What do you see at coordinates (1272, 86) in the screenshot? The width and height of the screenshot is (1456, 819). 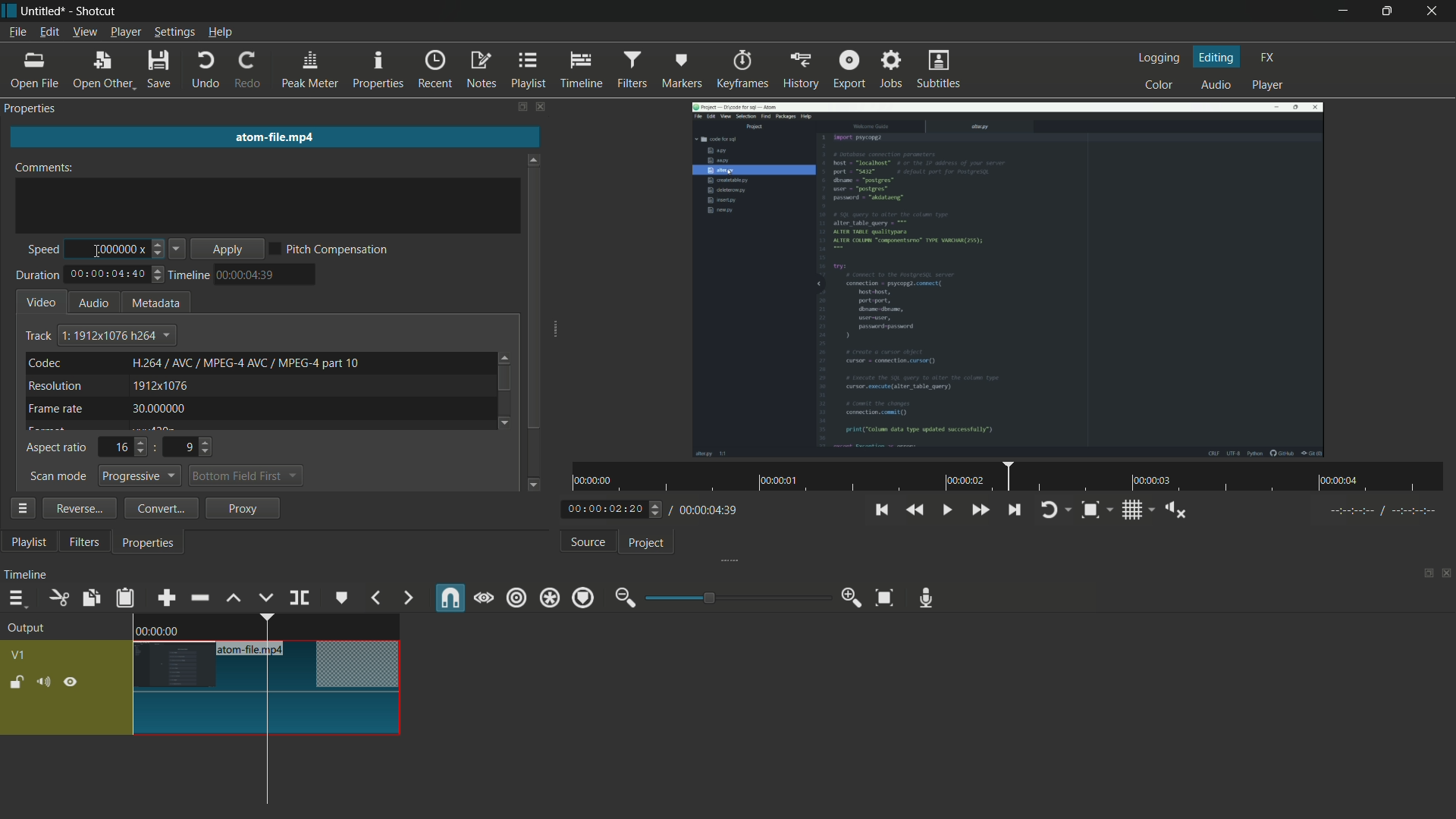 I see `player` at bounding box center [1272, 86].